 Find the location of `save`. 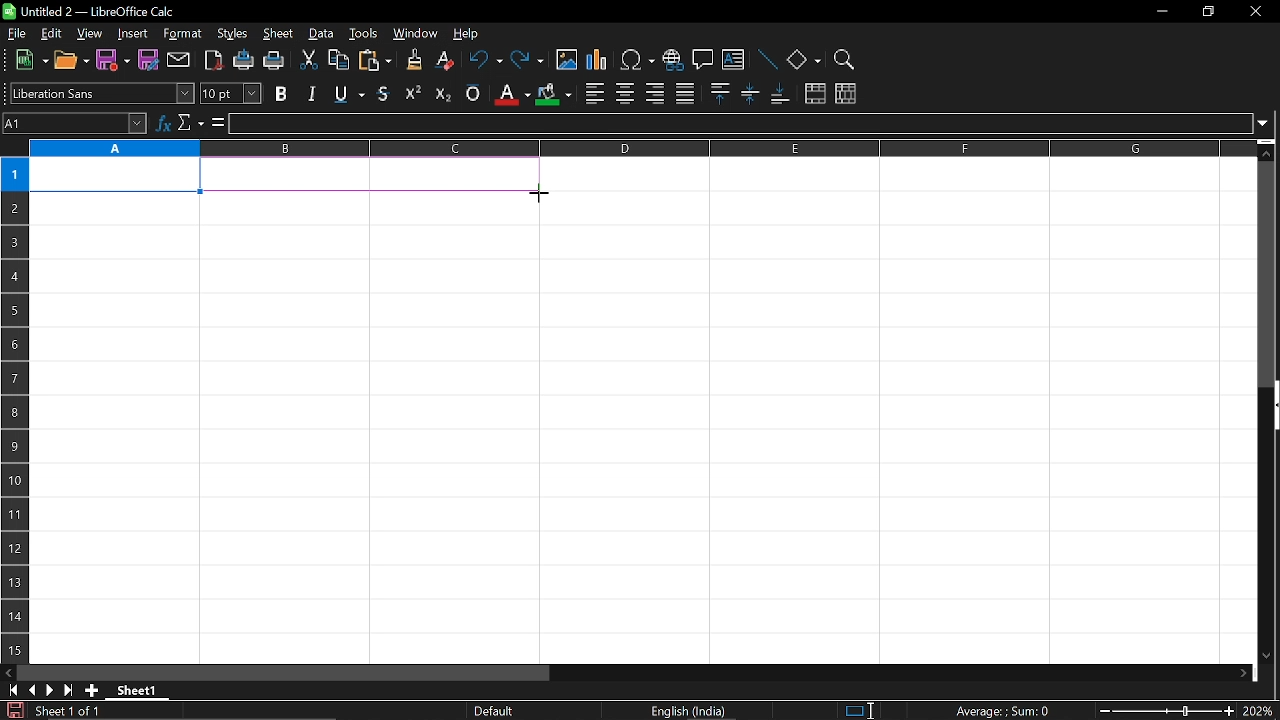

save is located at coordinates (113, 61).